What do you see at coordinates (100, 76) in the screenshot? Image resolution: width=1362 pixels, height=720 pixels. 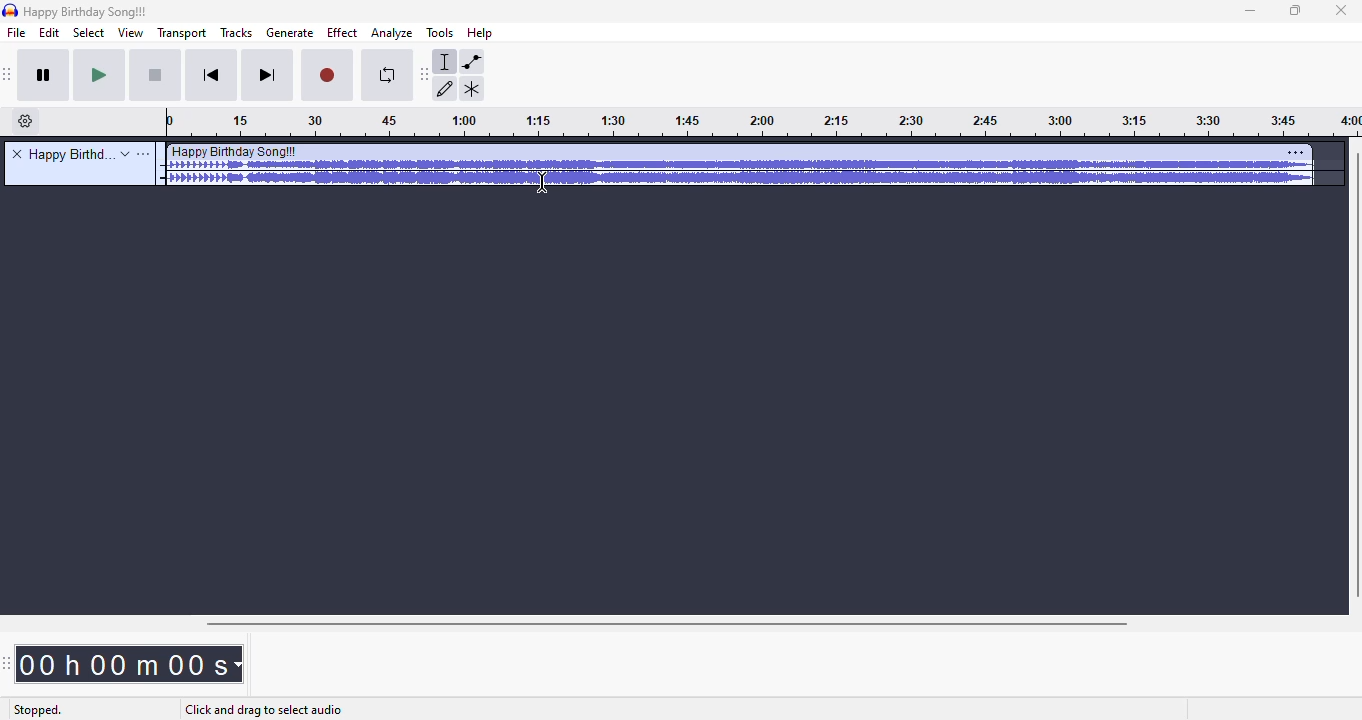 I see `play` at bounding box center [100, 76].